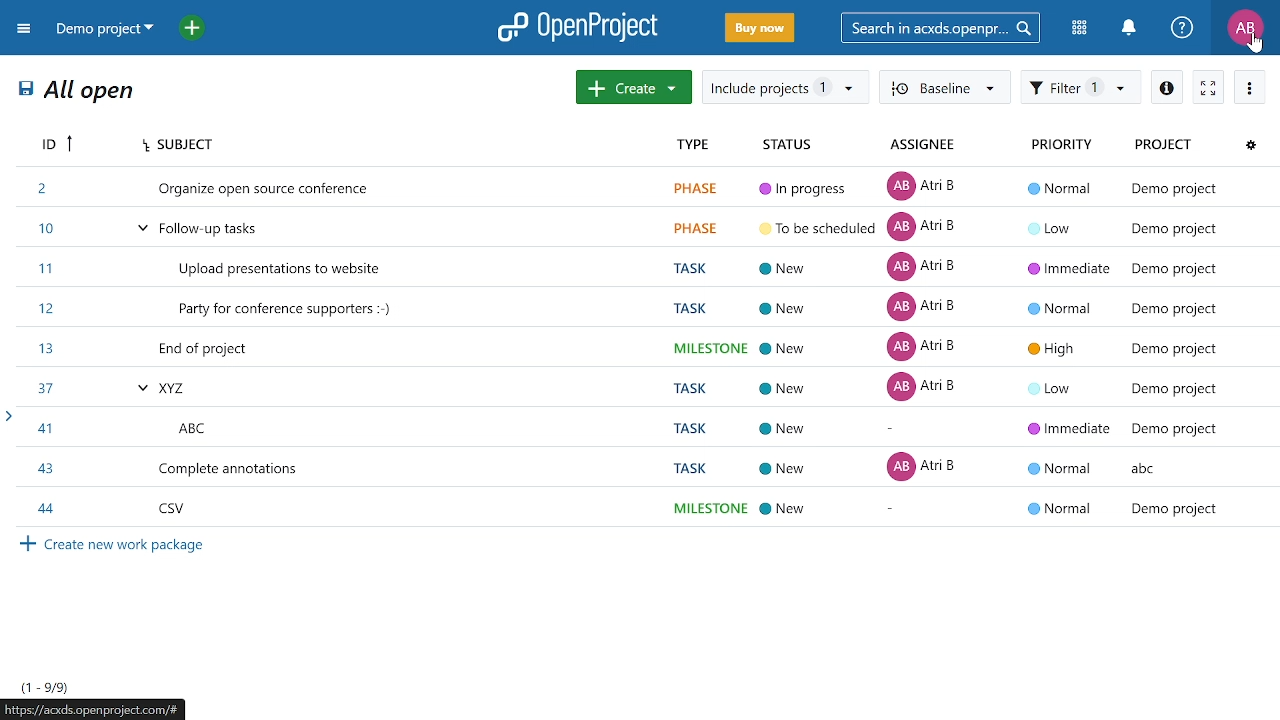 The image size is (1280, 720). I want to click on All open, so click(78, 93).